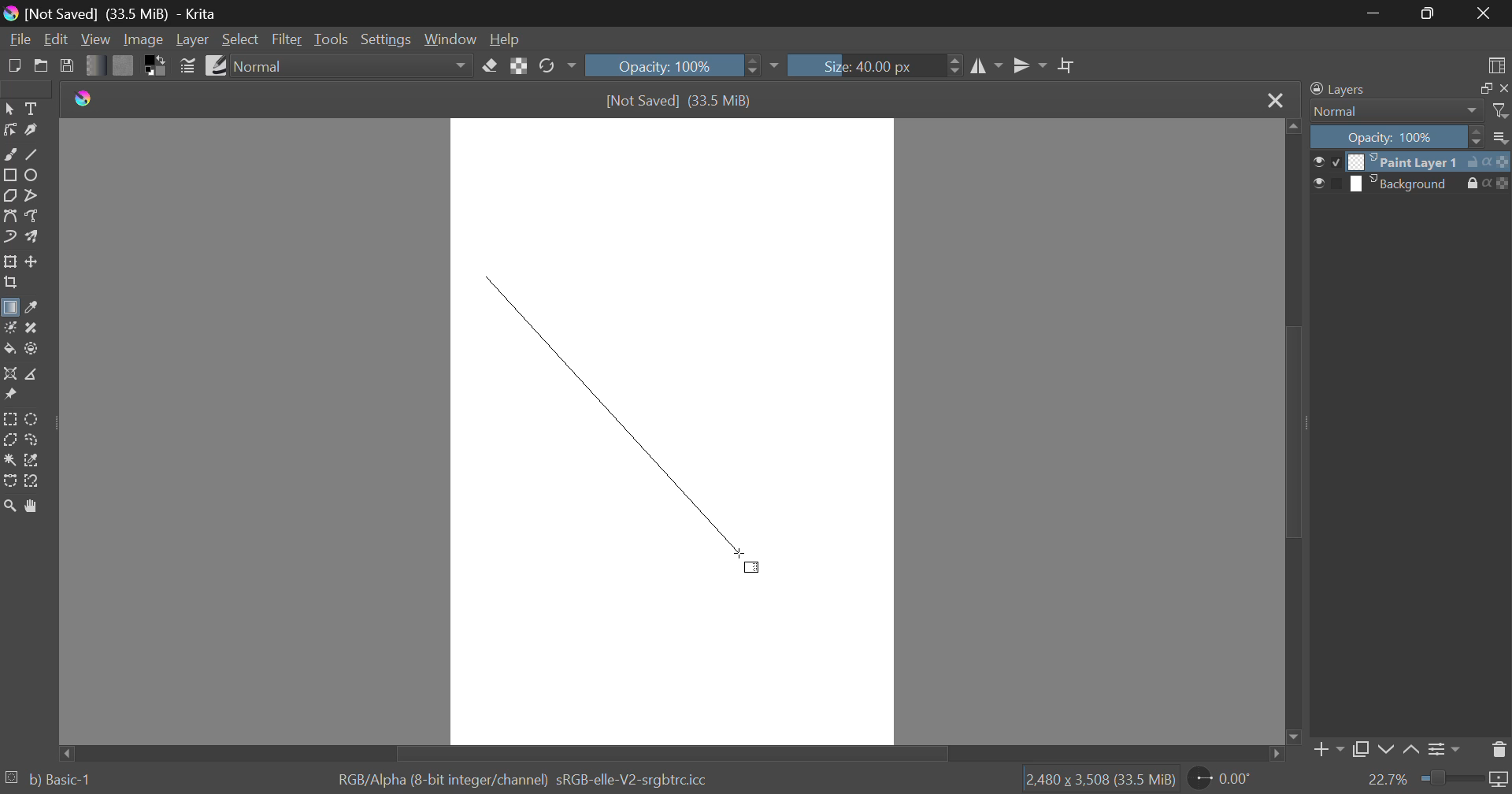 This screenshot has height=794, width=1512. What do you see at coordinates (557, 67) in the screenshot?
I see `Rotate` at bounding box center [557, 67].